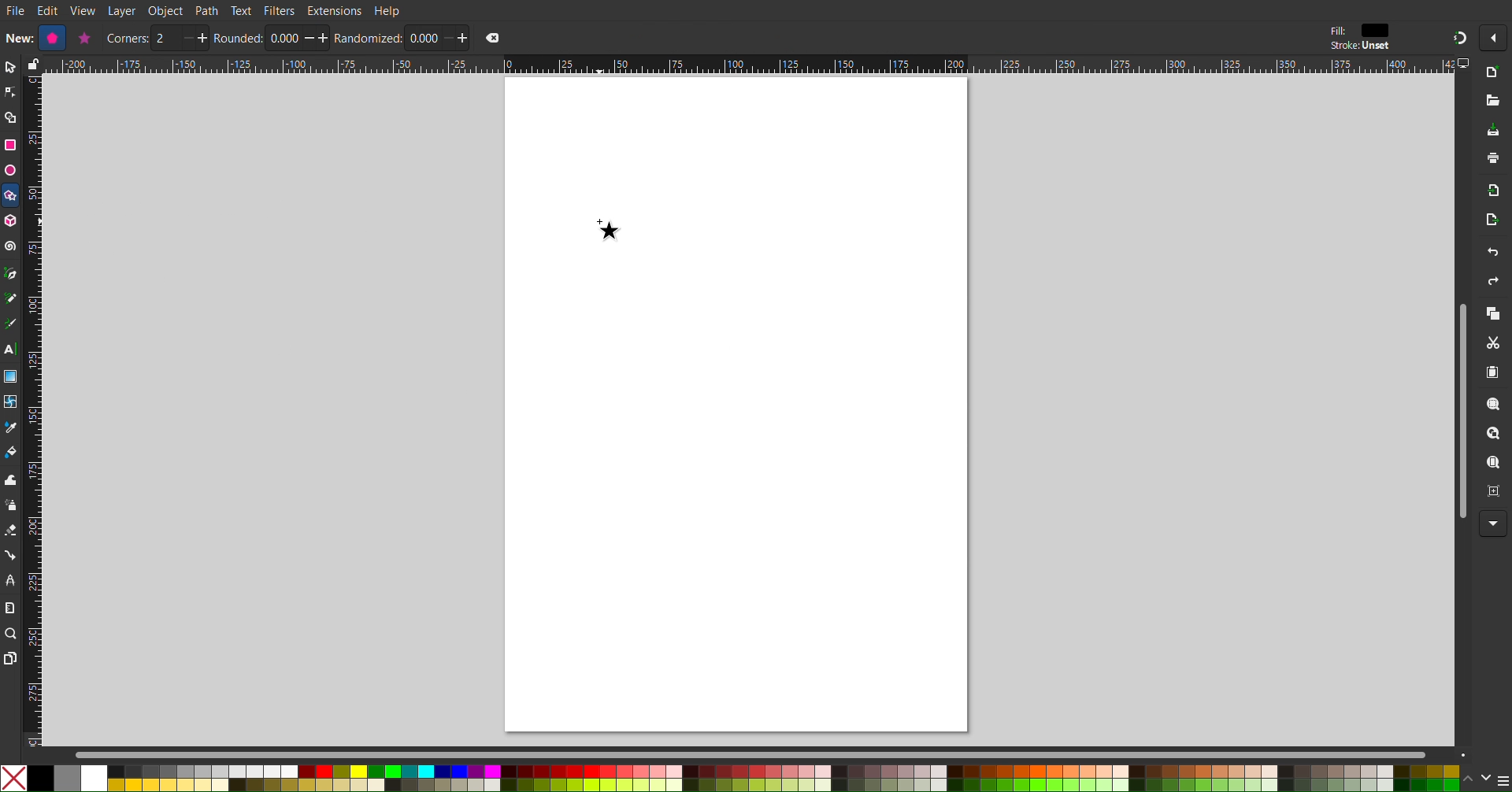 Image resolution: width=1512 pixels, height=792 pixels. I want to click on Color Picker, so click(11, 429).